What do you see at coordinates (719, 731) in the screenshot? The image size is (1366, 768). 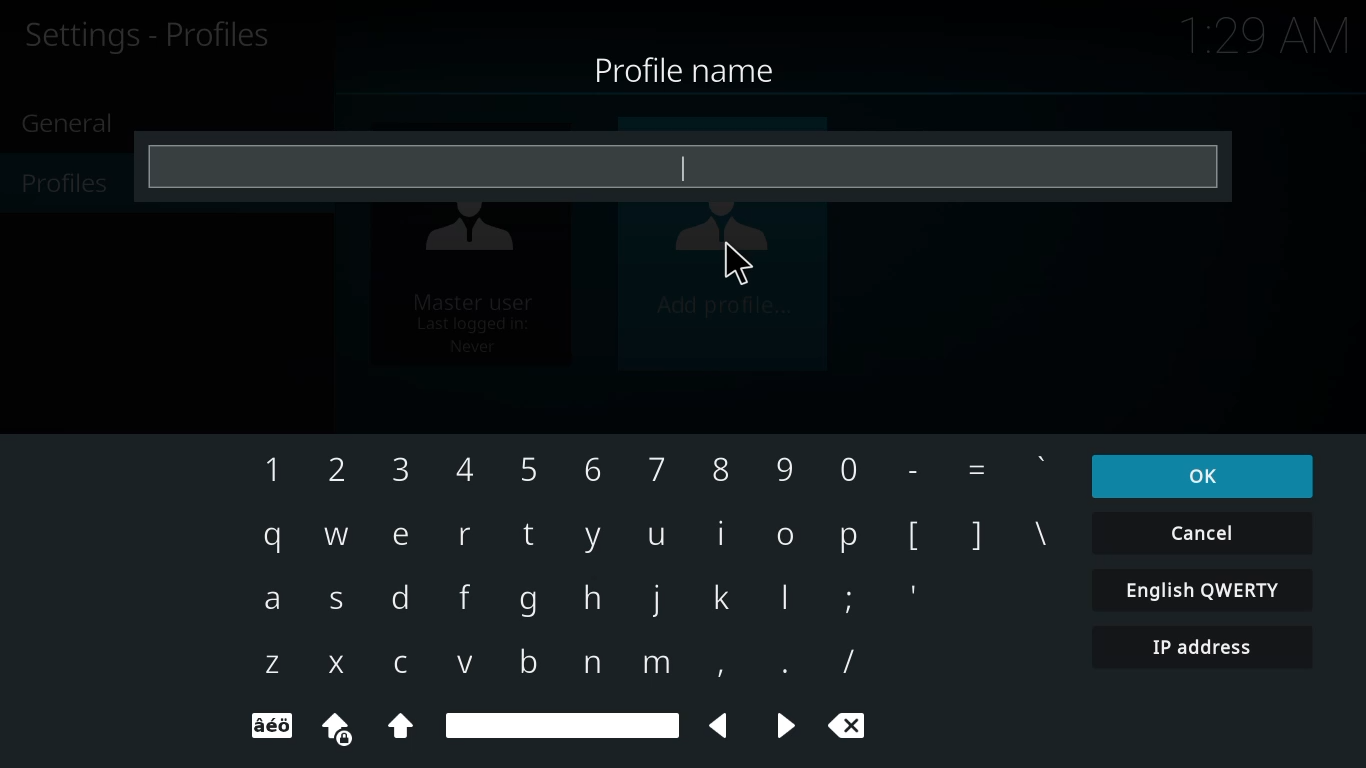 I see `backward` at bounding box center [719, 731].